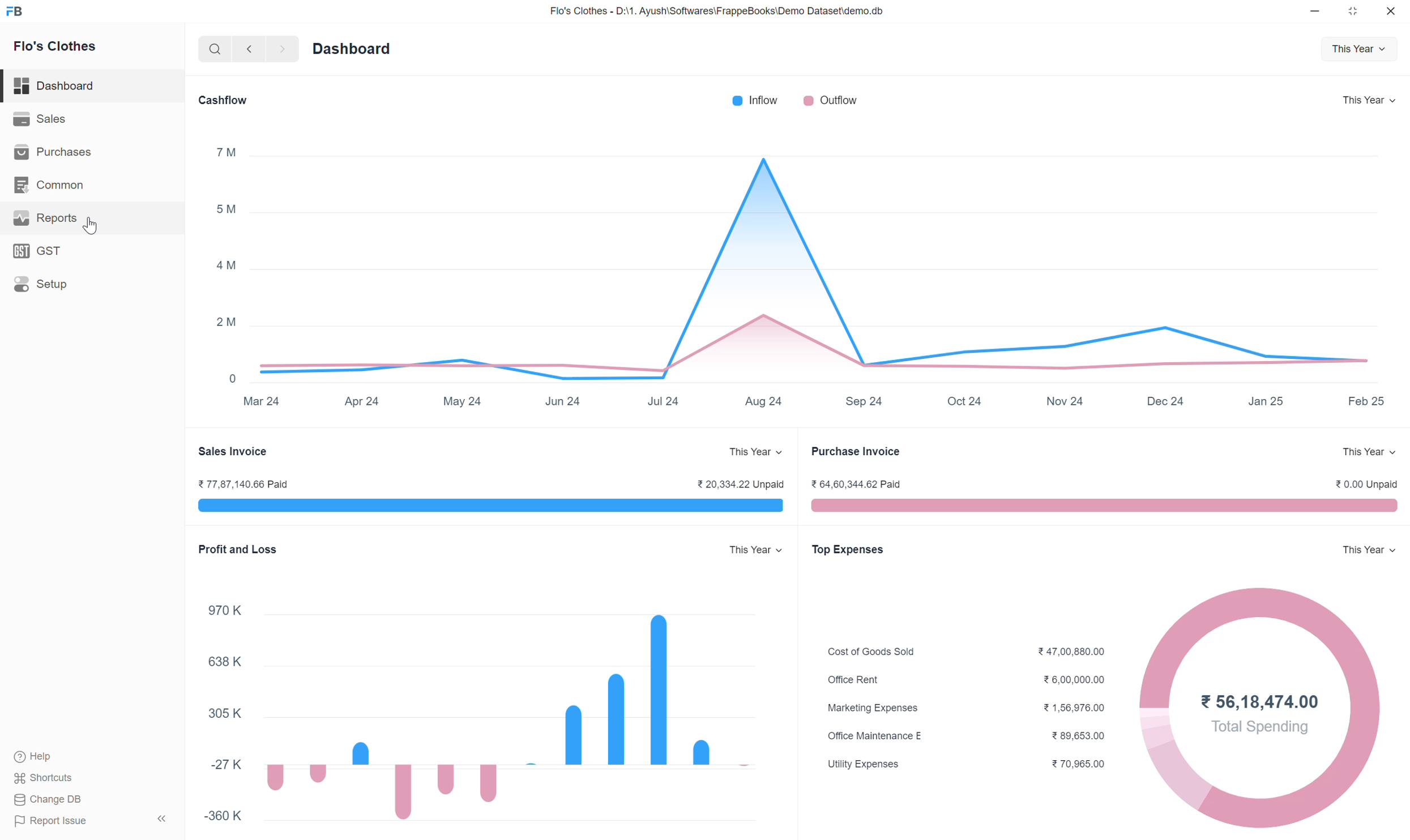  Describe the element at coordinates (864, 401) in the screenshot. I see `sep 24` at that location.